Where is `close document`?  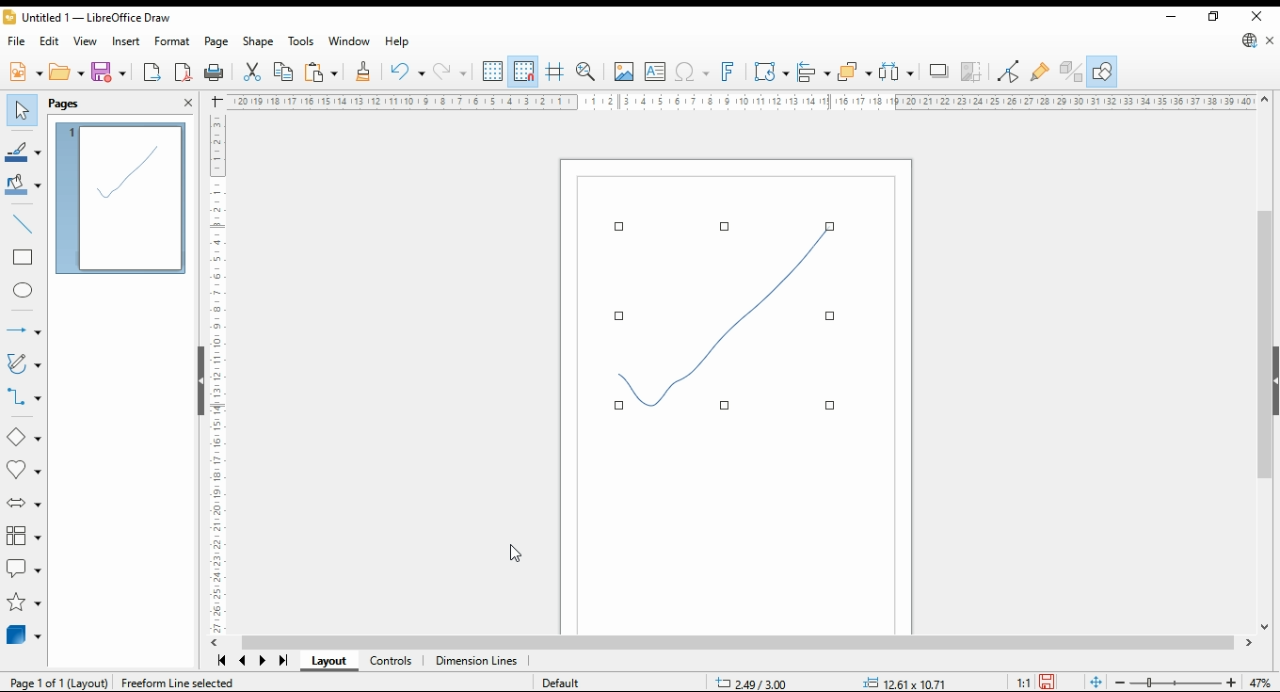
close document is located at coordinates (1272, 39).